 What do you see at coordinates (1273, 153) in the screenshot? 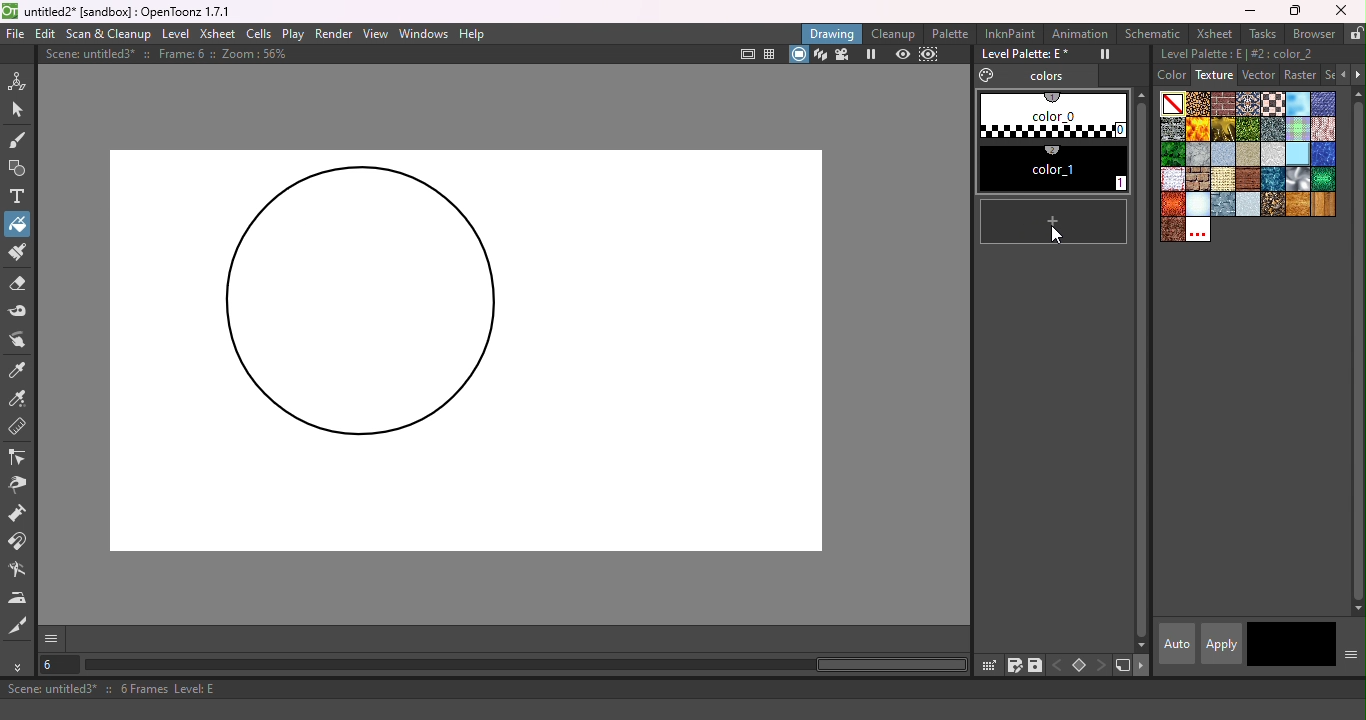
I see `papercrump.bmp` at bounding box center [1273, 153].